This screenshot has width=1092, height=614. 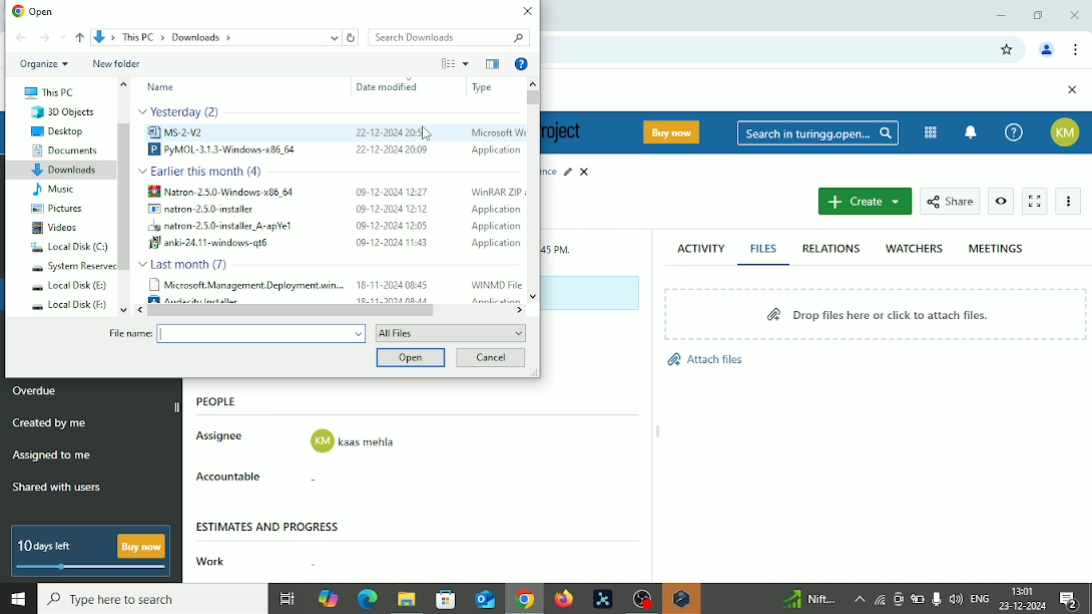 What do you see at coordinates (208, 562) in the screenshot?
I see `Work` at bounding box center [208, 562].